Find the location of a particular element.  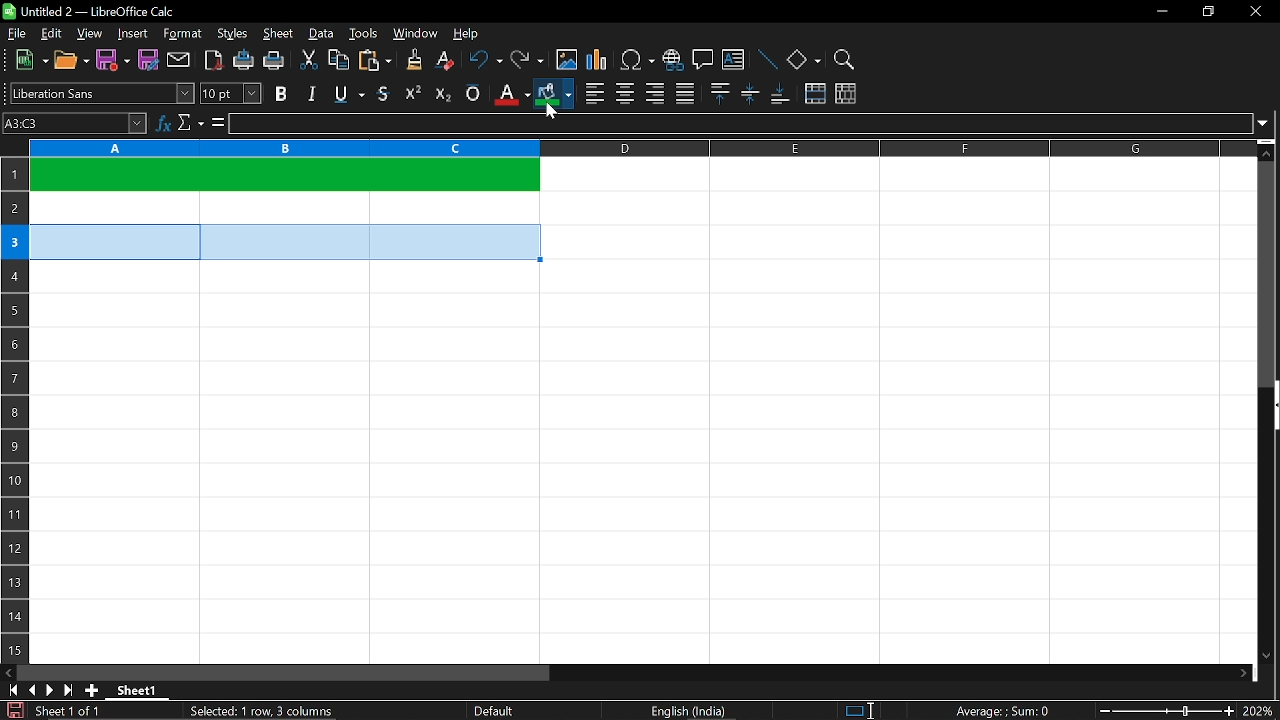

export as pdf is located at coordinates (210, 60).